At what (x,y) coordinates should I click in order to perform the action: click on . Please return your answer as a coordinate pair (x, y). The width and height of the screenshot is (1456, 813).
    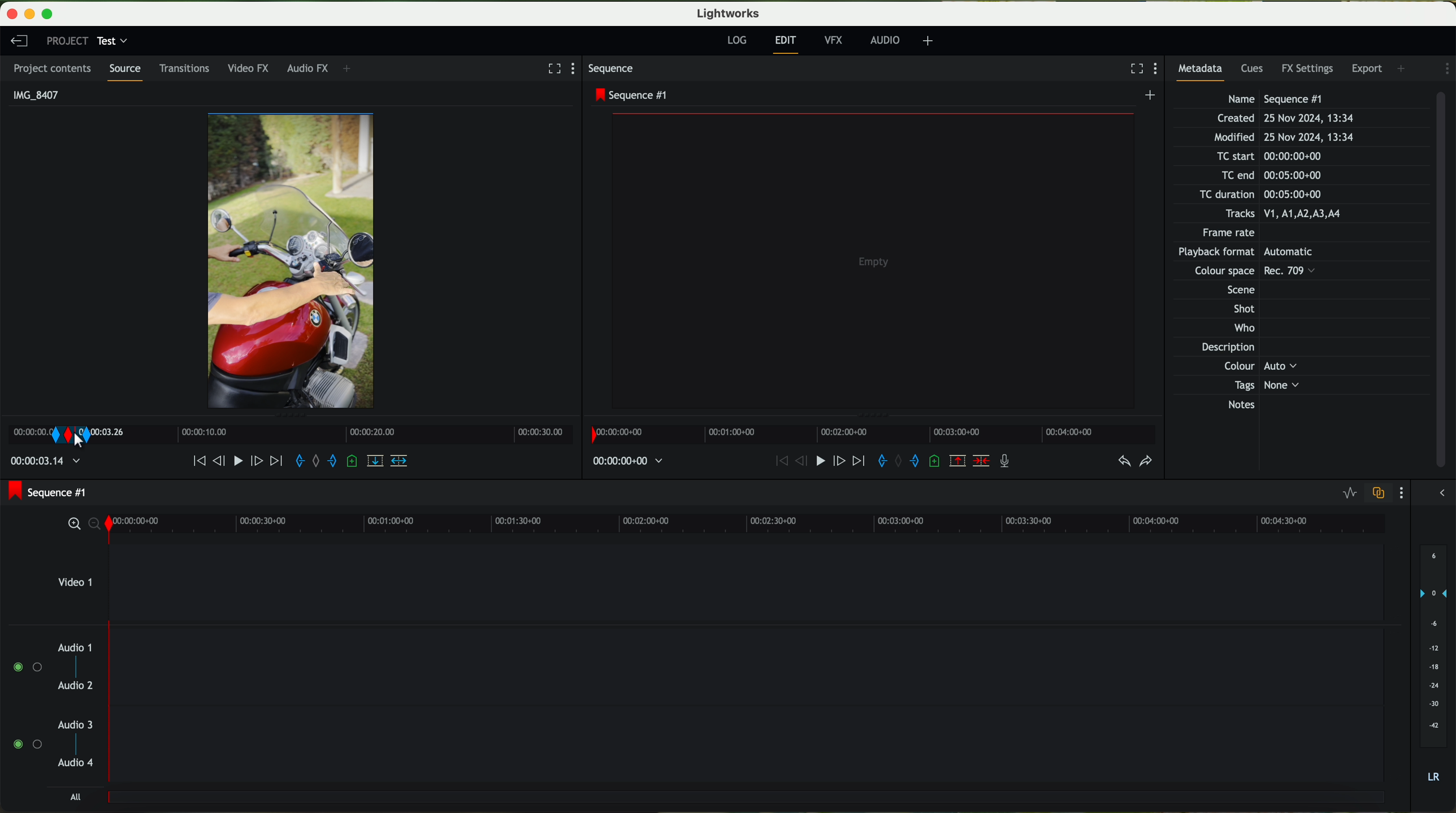
    Looking at the image, I should click on (1256, 253).